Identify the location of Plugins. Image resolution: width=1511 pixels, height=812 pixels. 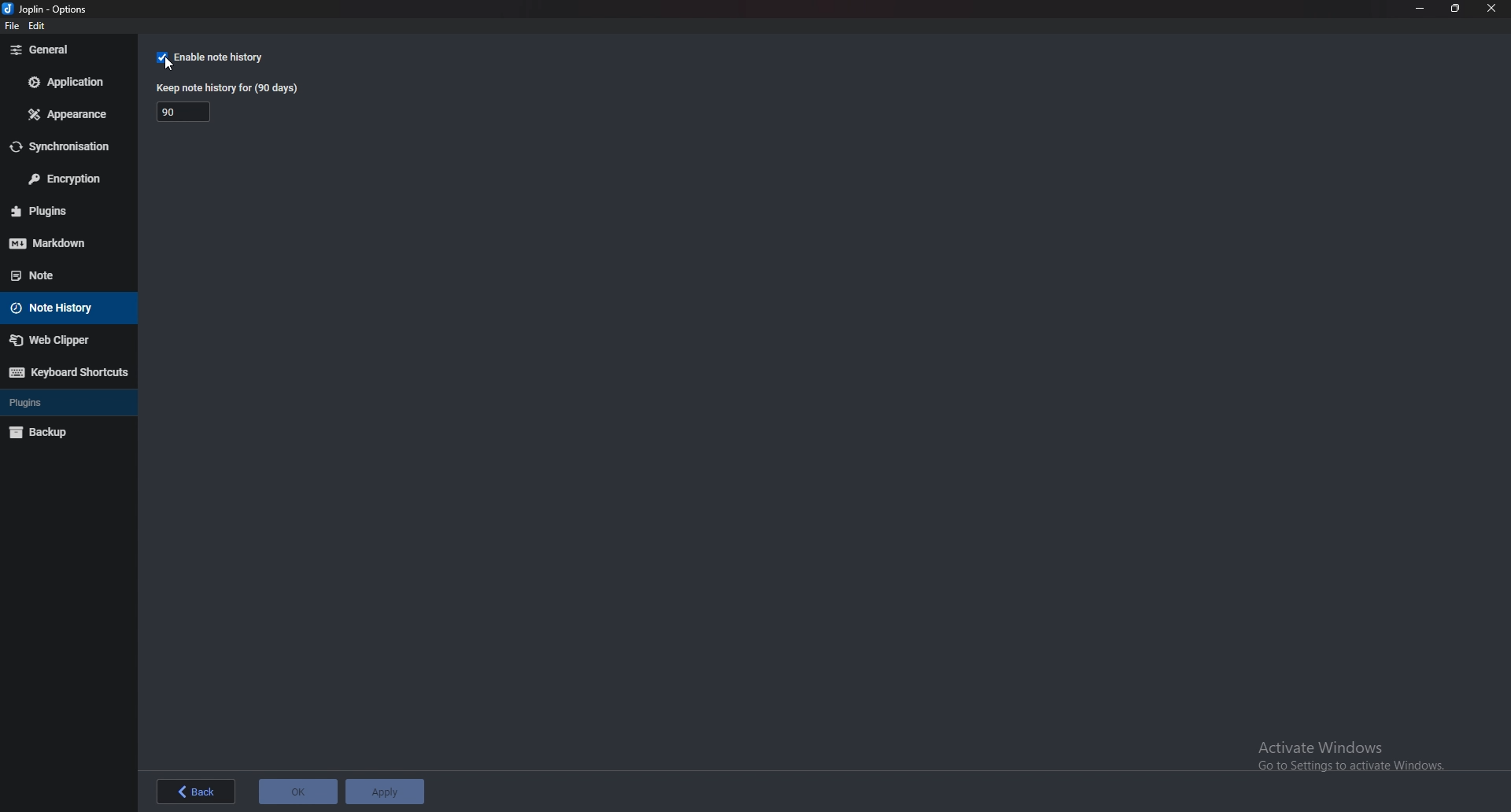
(63, 402).